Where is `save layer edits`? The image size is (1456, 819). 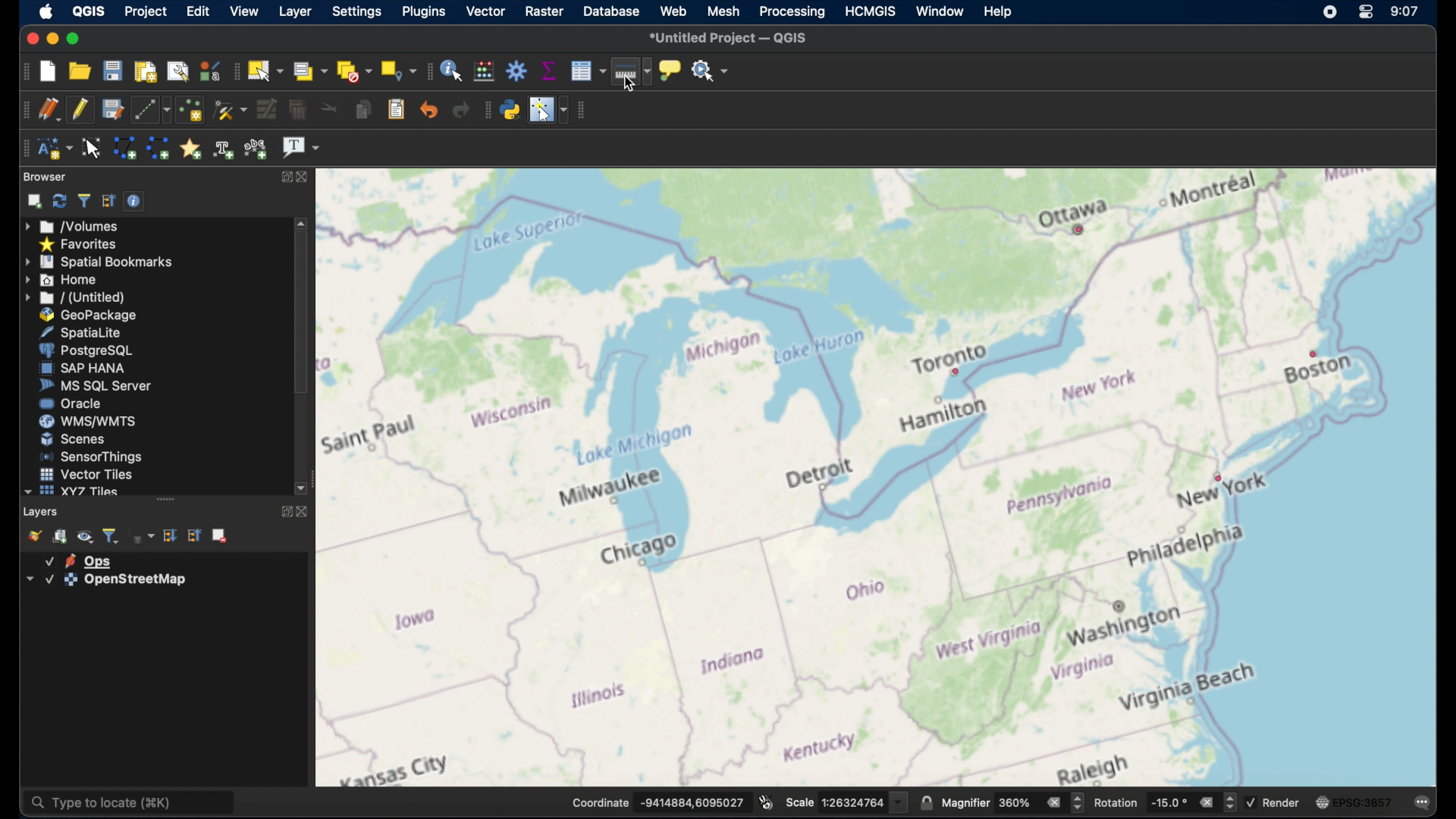 save layer edits is located at coordinates (111, 108).